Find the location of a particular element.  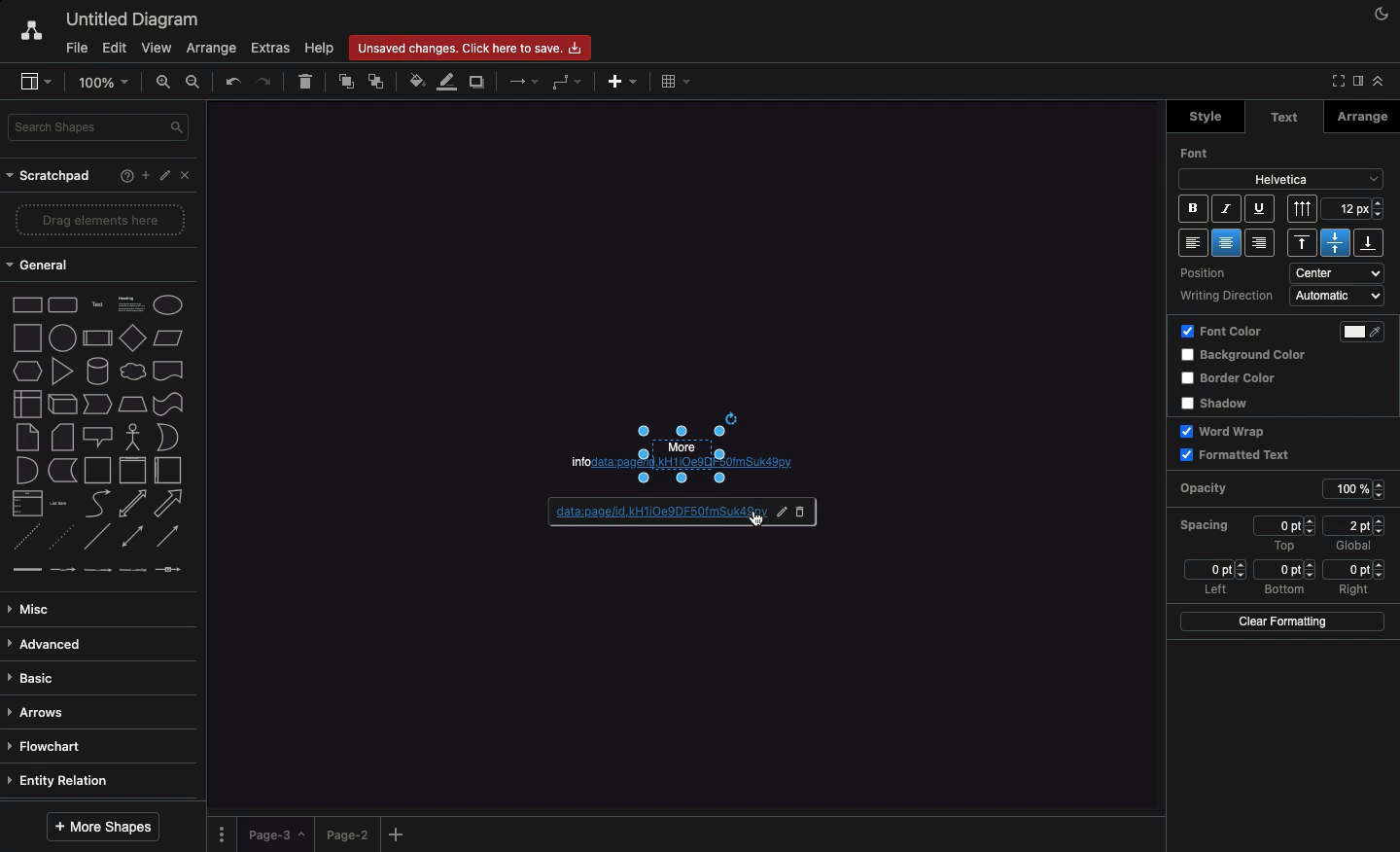

Background color is located at coordinates (1247, 356).